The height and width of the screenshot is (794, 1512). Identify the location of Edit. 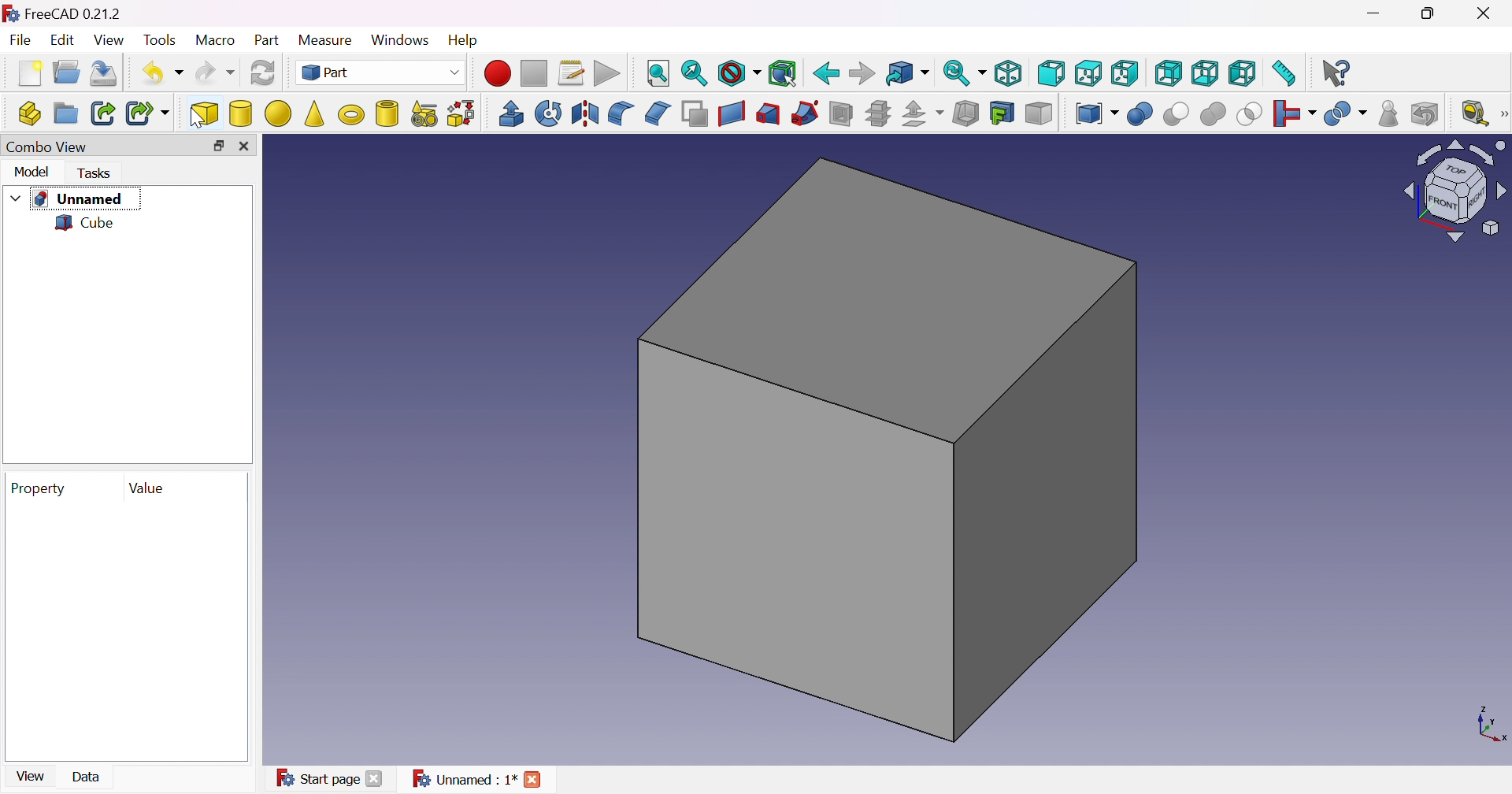
(61, 41).